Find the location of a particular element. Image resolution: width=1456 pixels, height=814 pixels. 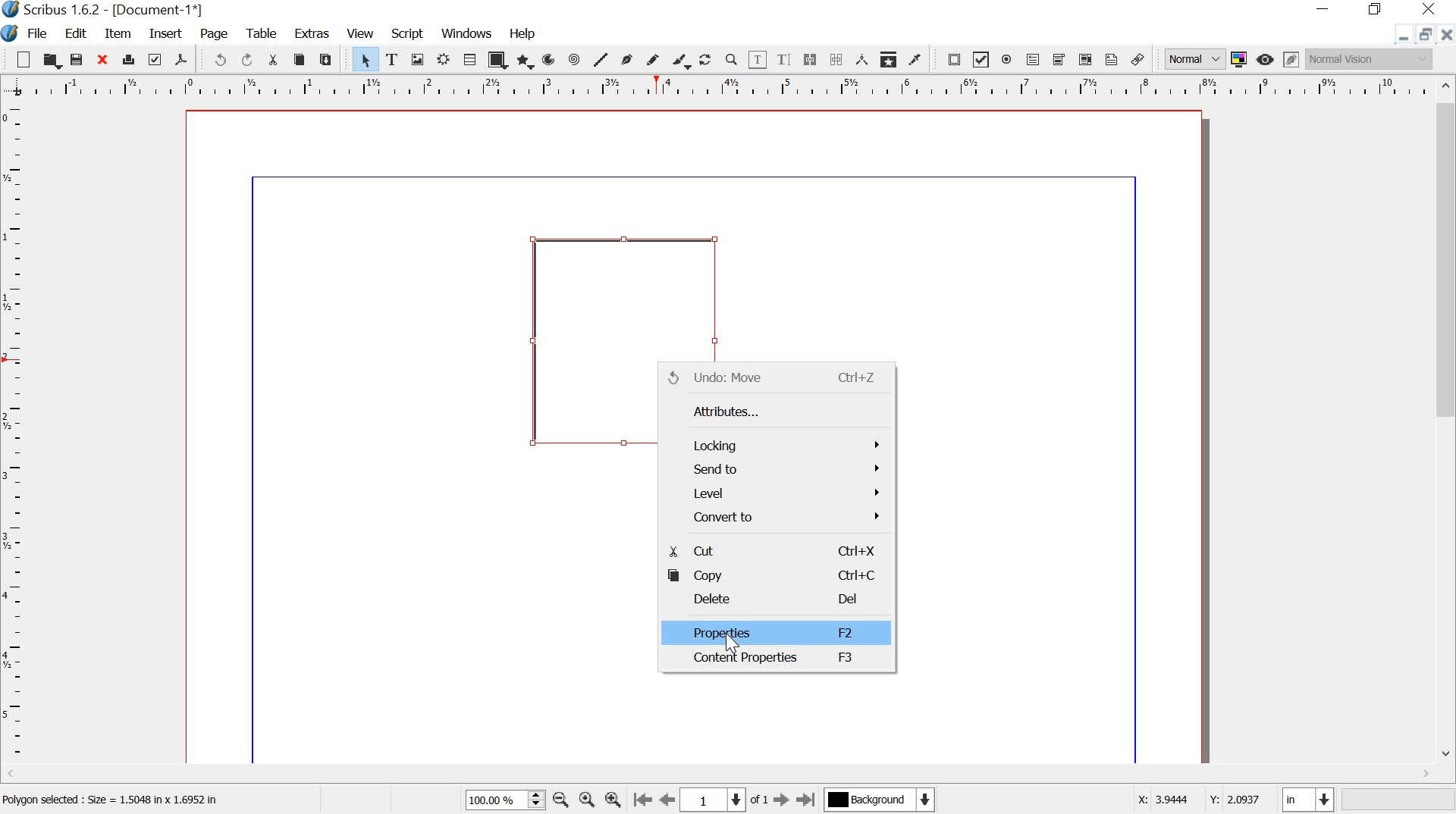

properties f2 is located at coordinates (780, 632).